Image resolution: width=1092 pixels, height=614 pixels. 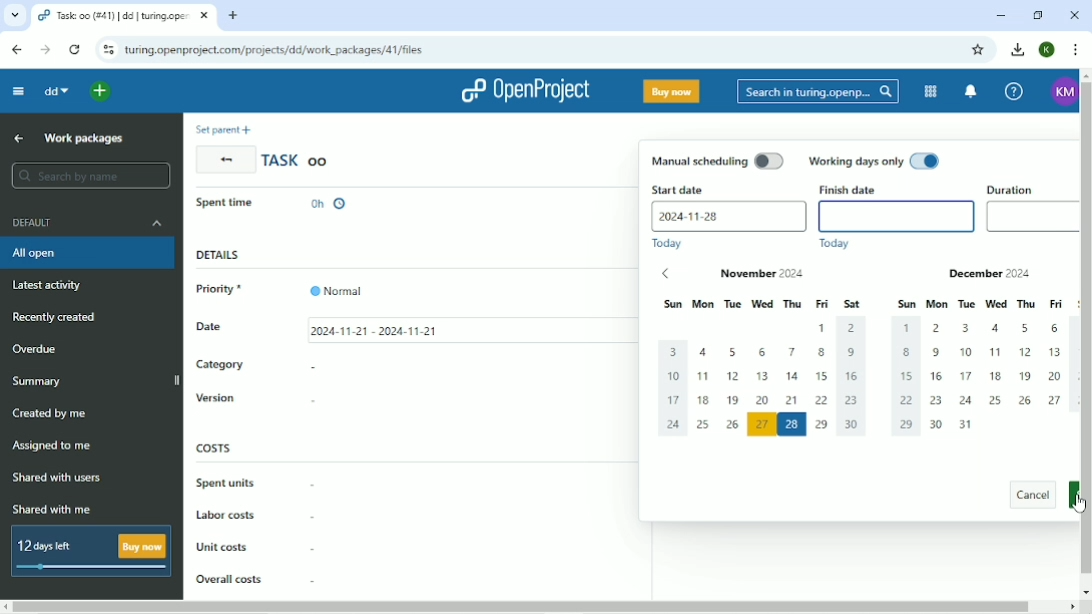 What do you see at coordinates (967, 275) in the screenshot?
I see `December 2024` at bounding box center [967, 275].